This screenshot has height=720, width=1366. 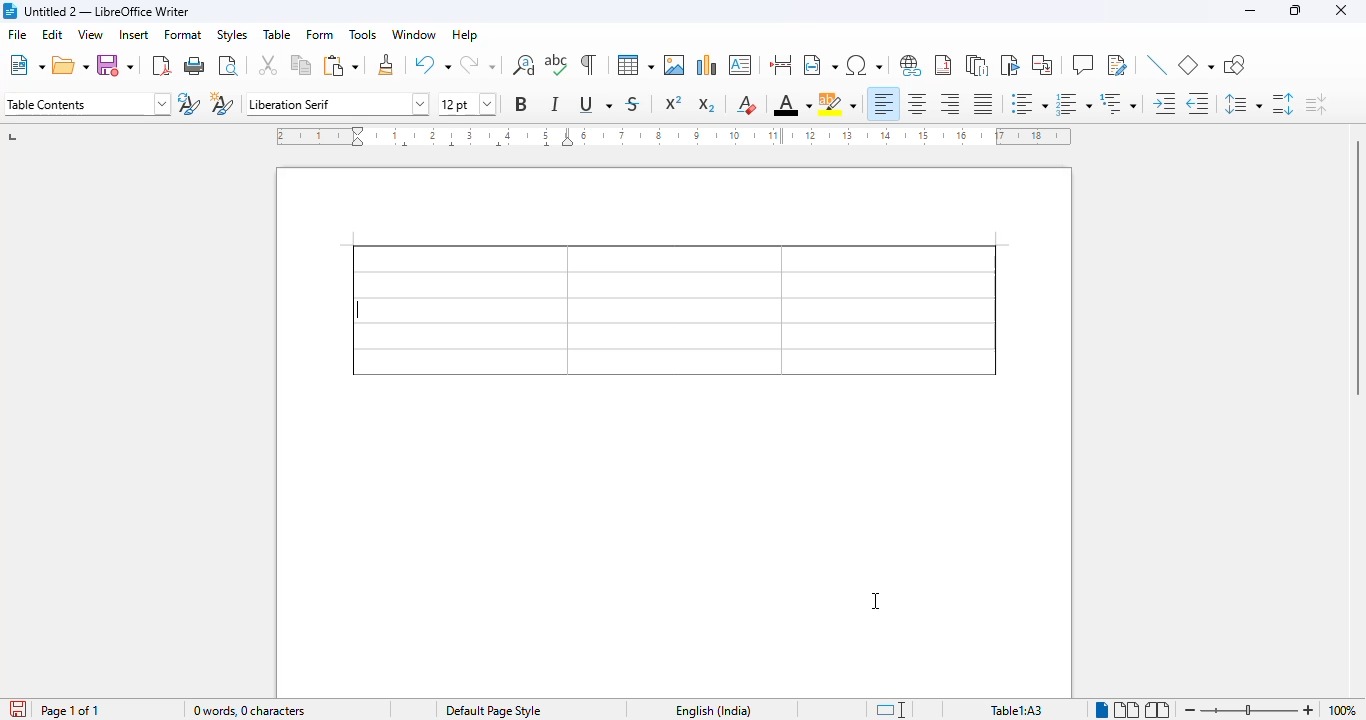 What do you see at coordinates (781, 64) in the screenshot?
I see `insert page break` at bounding box center [781, 64].